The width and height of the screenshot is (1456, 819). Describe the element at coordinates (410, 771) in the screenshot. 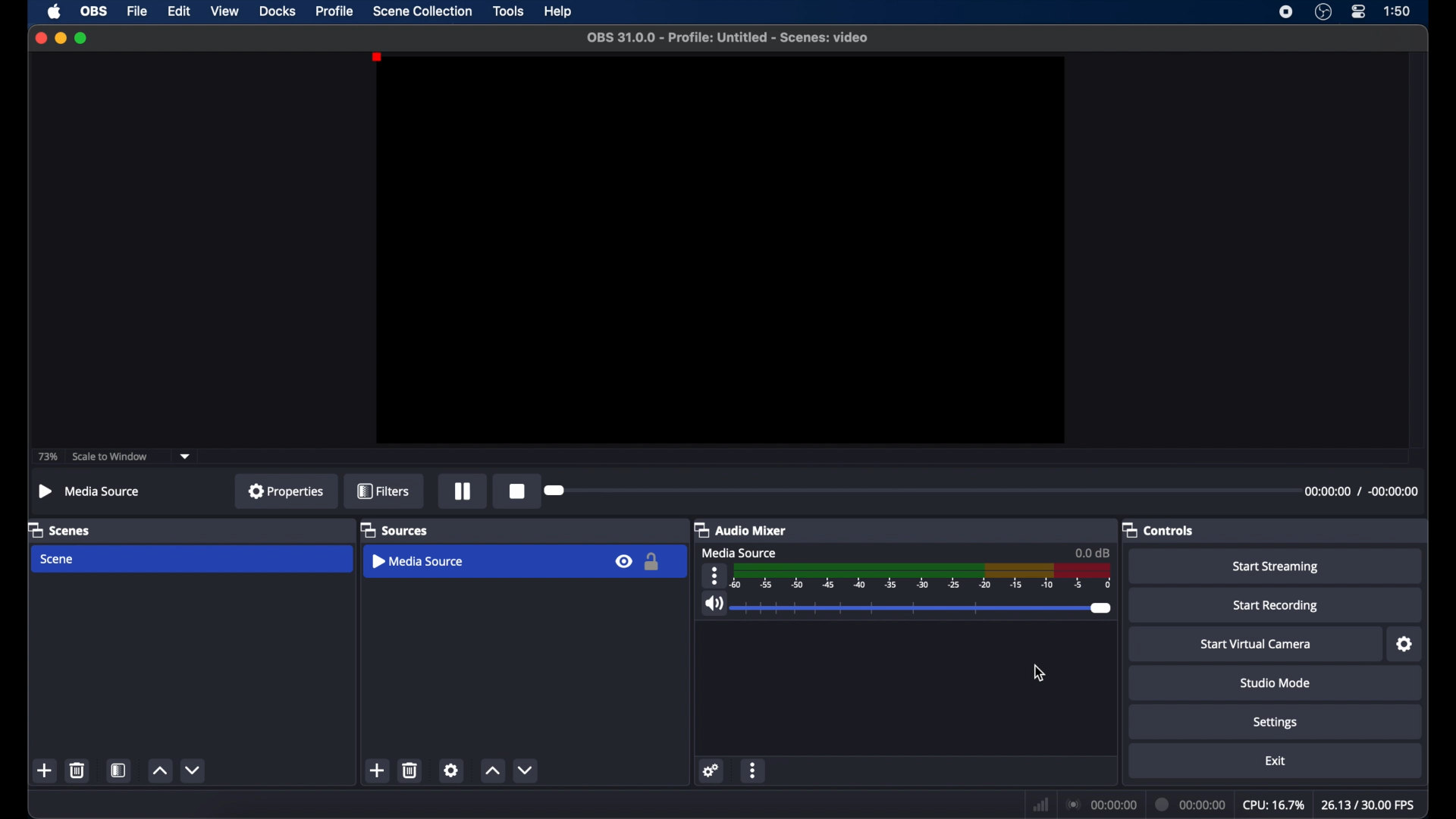

I see `delete` at that location.